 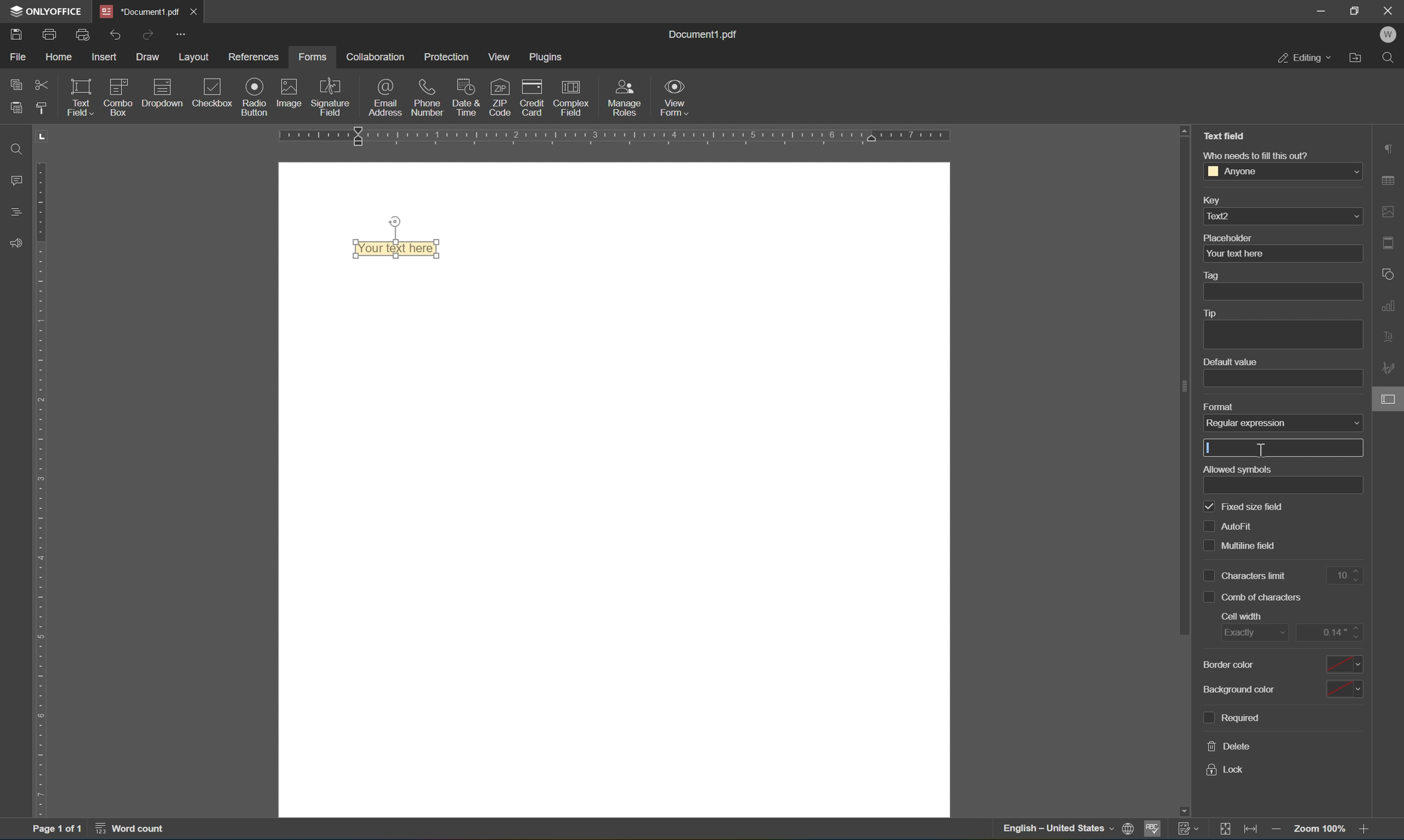 I want to click on Find, so click(x=18, y=150).